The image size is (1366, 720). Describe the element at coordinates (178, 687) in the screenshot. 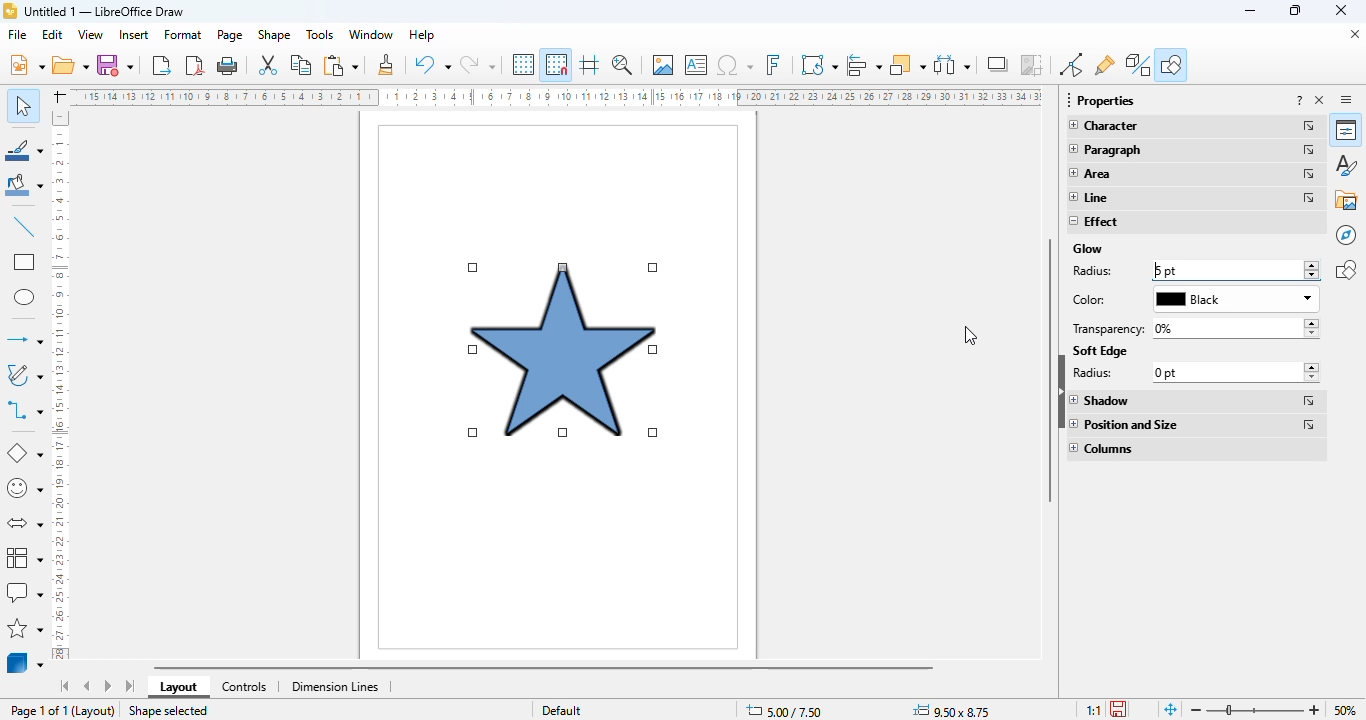

I see `layout` at that location.